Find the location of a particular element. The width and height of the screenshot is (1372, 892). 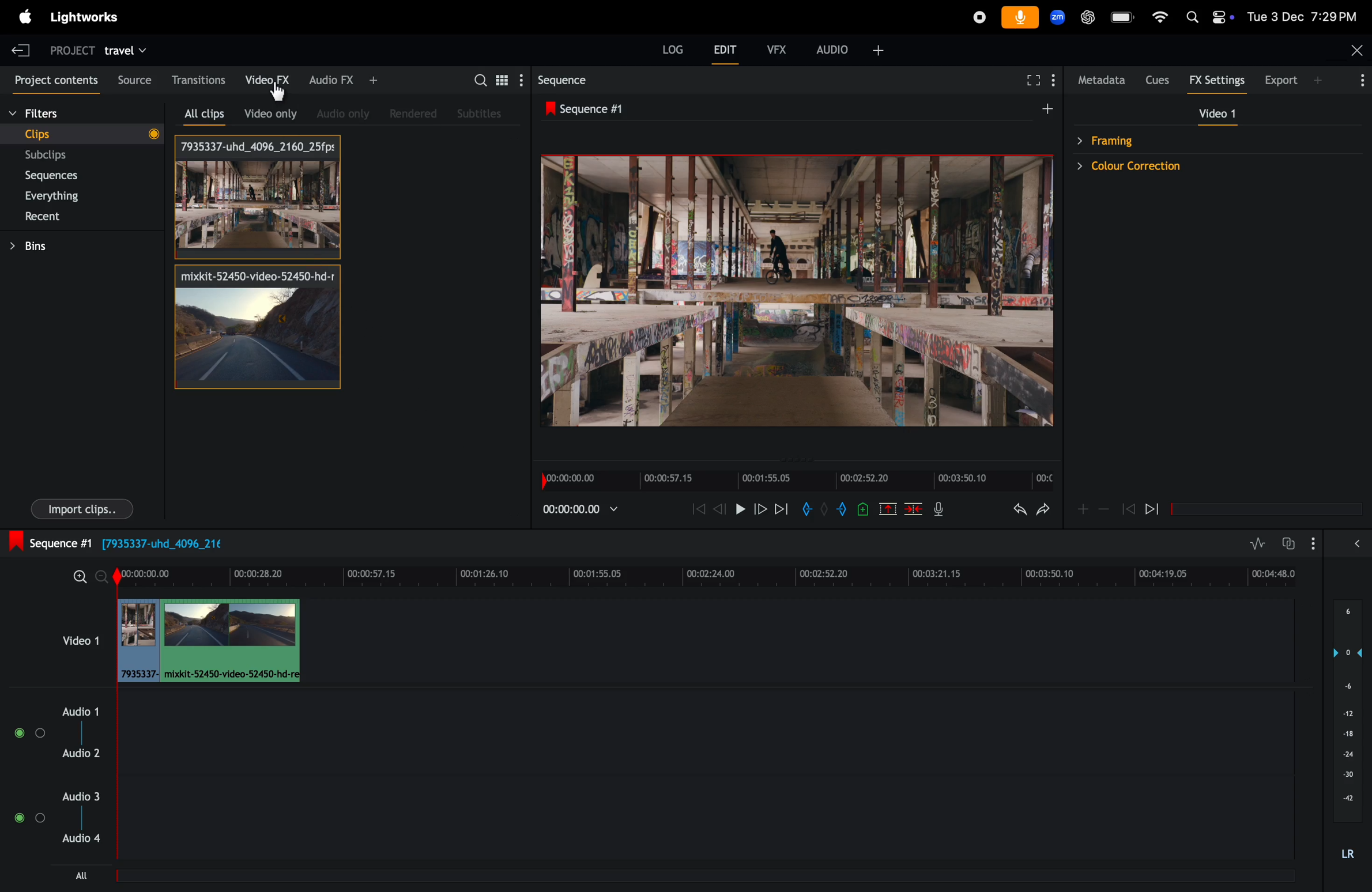

audio pitch is located at coordinates (1351, 731).